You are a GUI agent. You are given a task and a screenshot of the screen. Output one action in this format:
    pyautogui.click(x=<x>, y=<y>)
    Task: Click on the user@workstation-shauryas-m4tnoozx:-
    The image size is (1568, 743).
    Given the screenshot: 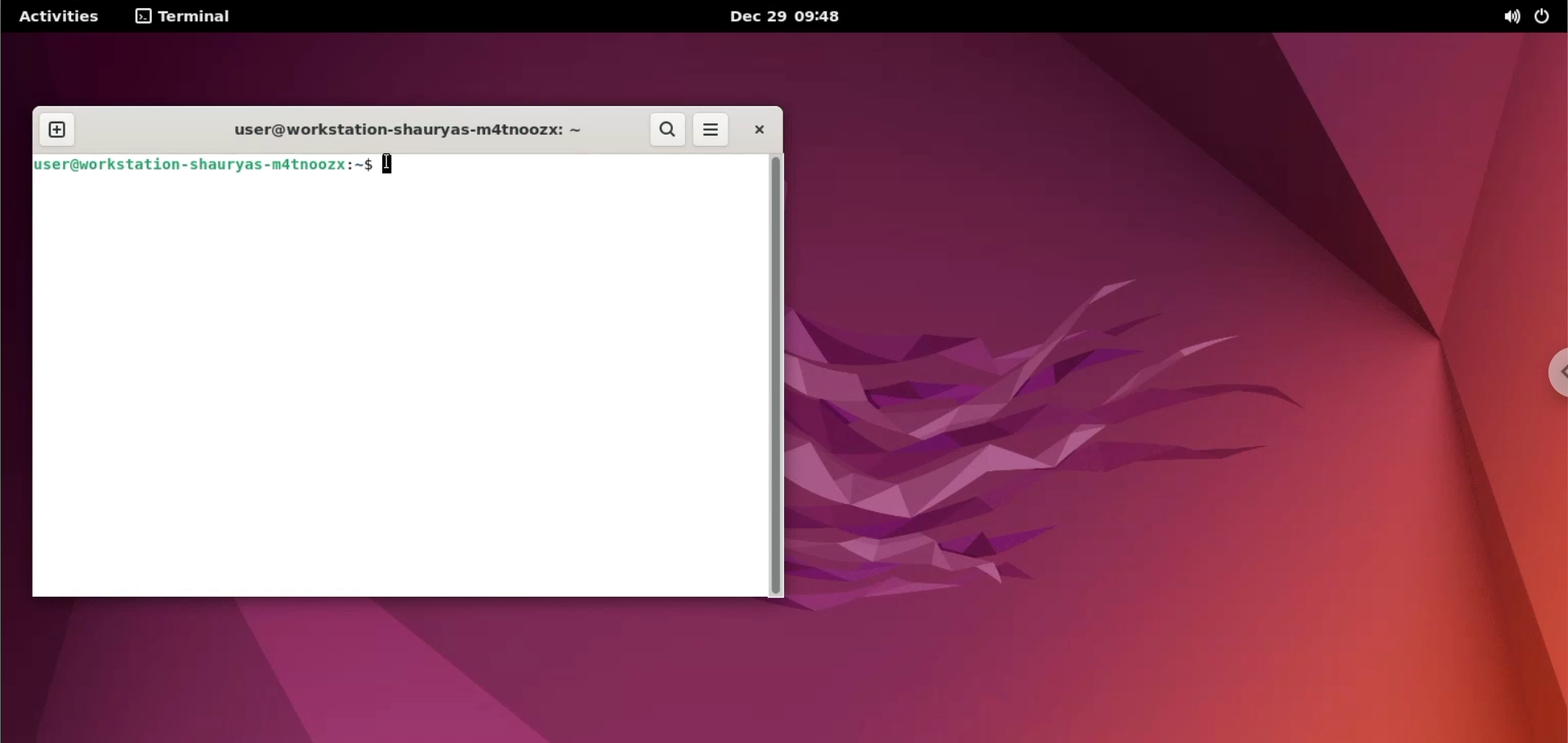 What is the action you would take?
    pyautogui.click(x=405, y=130)
    